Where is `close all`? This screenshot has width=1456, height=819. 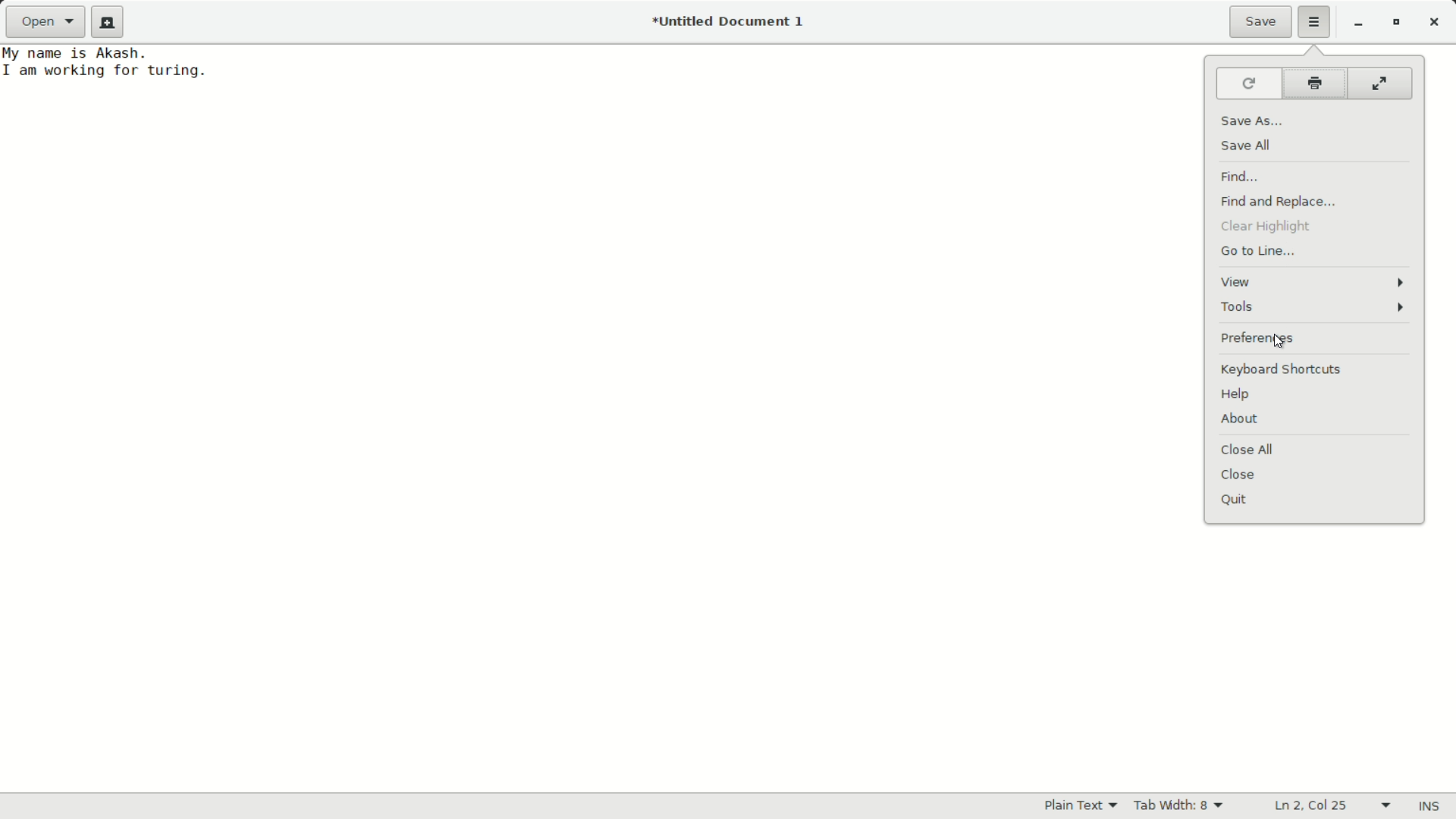
close all is located at coordinates (1247, 449).